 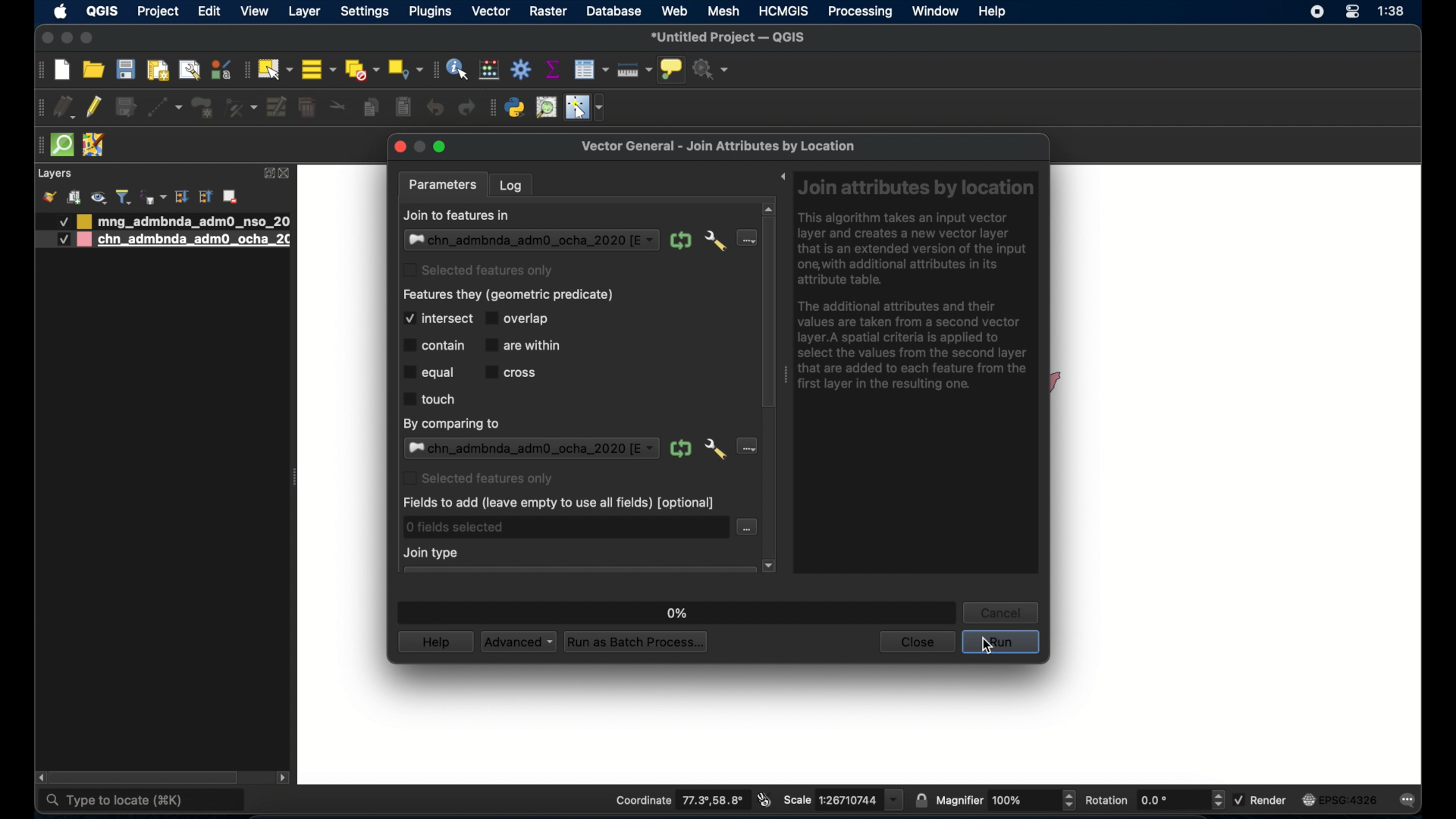 What do you see at coordinates (243, 70) in the screenshot?
I see `selection toolbar` at bounding box center [243, 70].